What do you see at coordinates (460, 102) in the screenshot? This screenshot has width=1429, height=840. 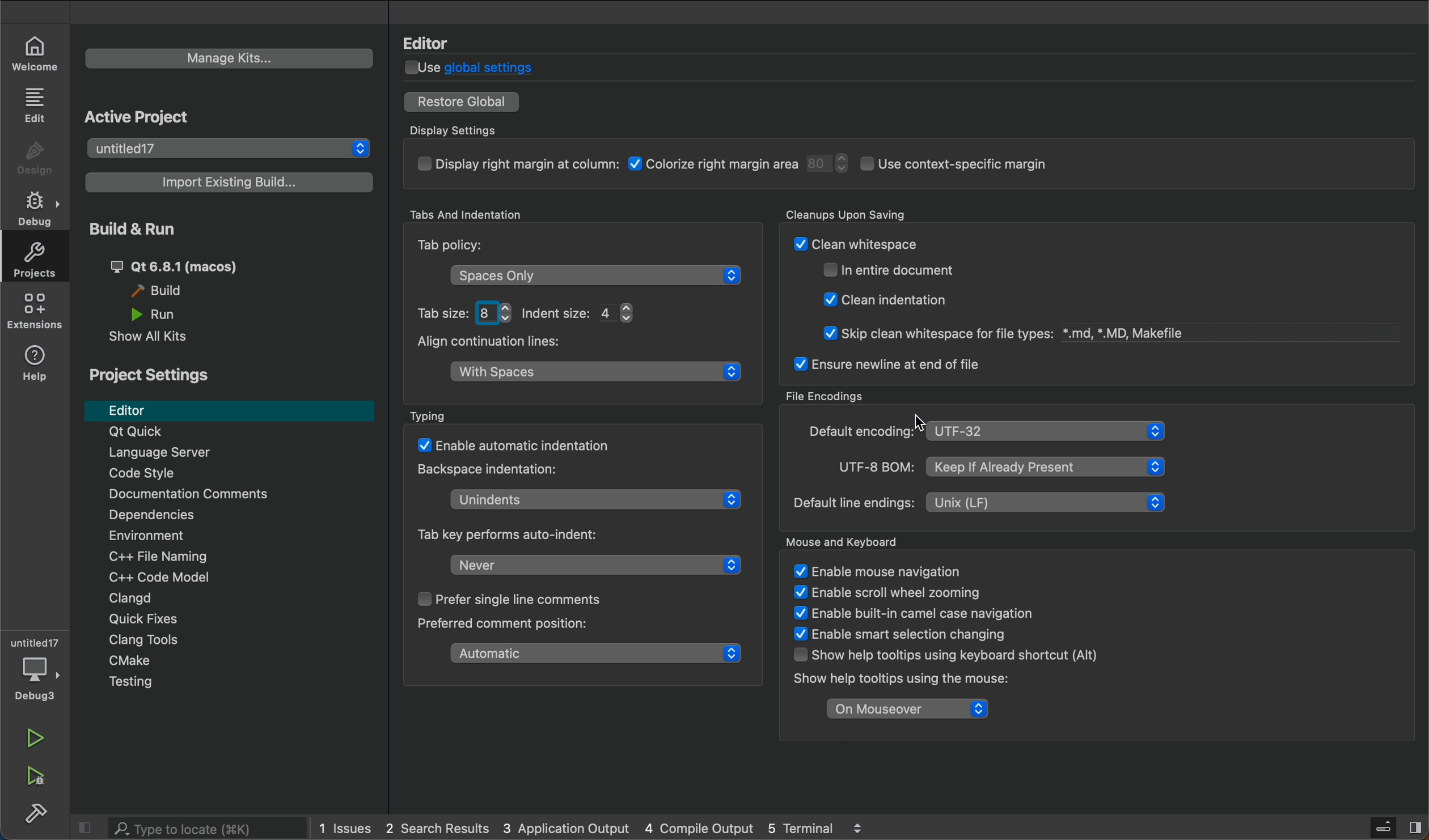 I see `restore to global` at bounding box center [460, 102].